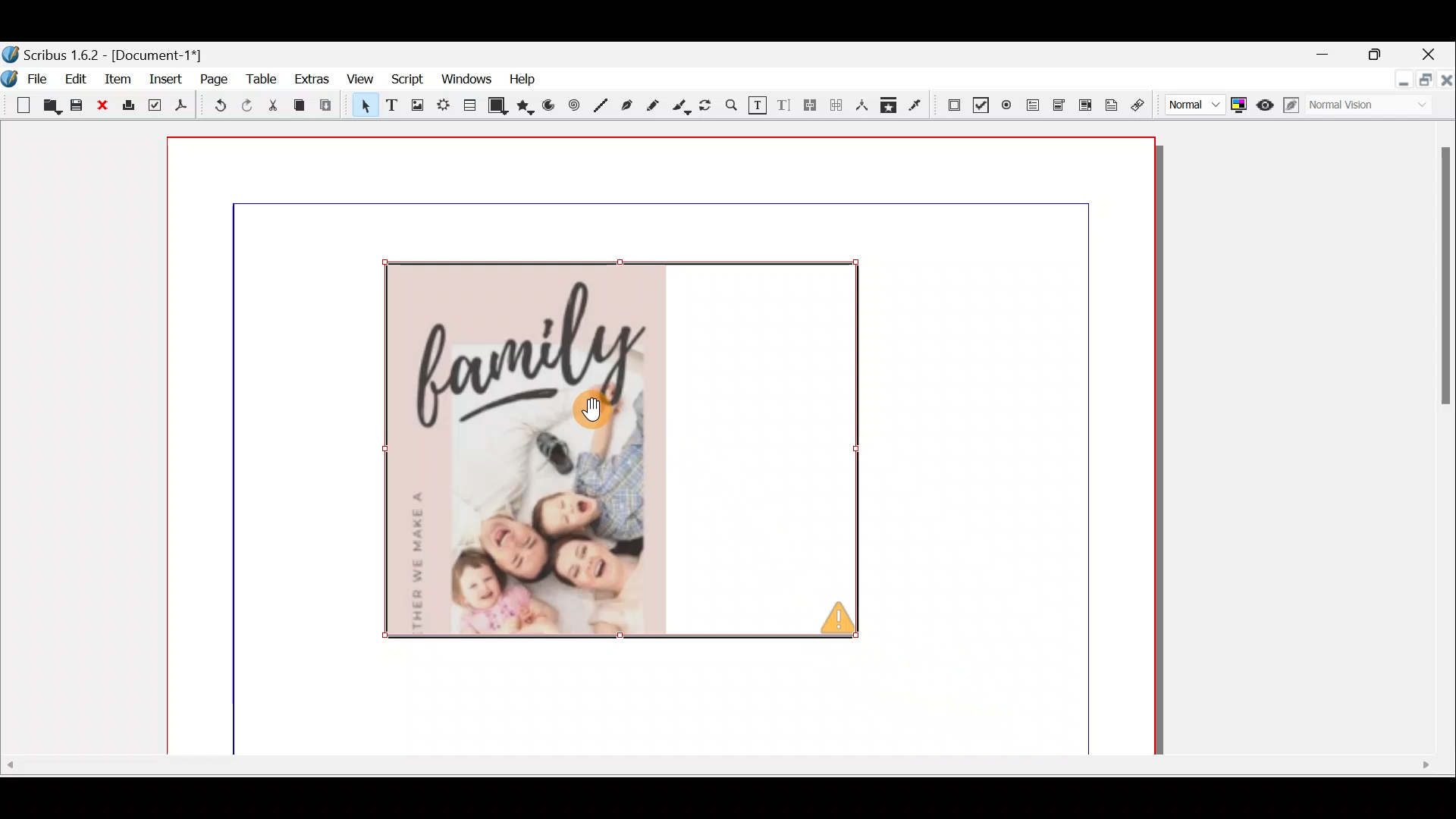  Describe the element at coordinates (811, 104) in the screenshot. I see `Link text frames` at that location.